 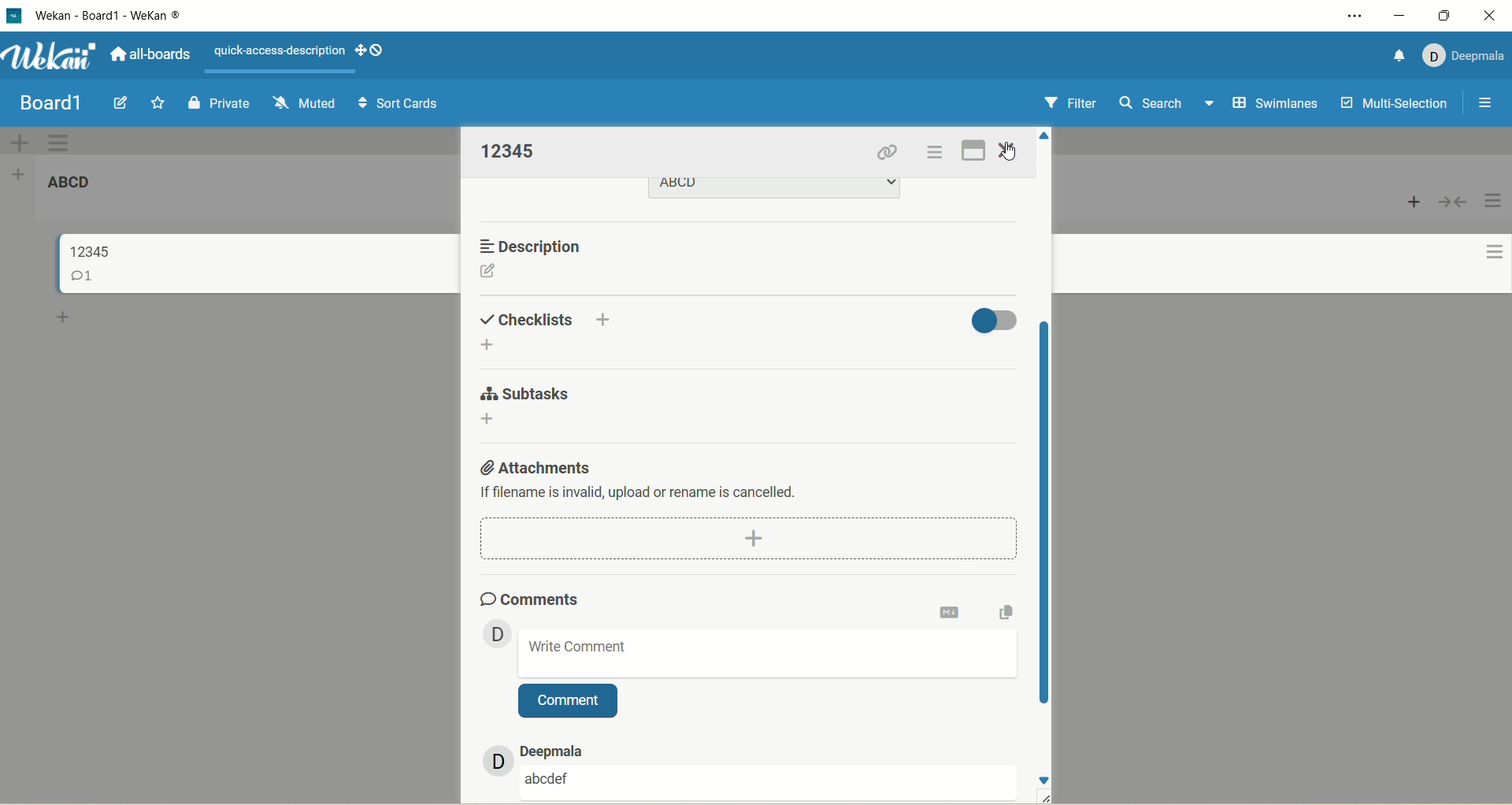 What do you see at coordinates (511, 150) in the screenshot?
I see `title` at bounding box center [511, 150].